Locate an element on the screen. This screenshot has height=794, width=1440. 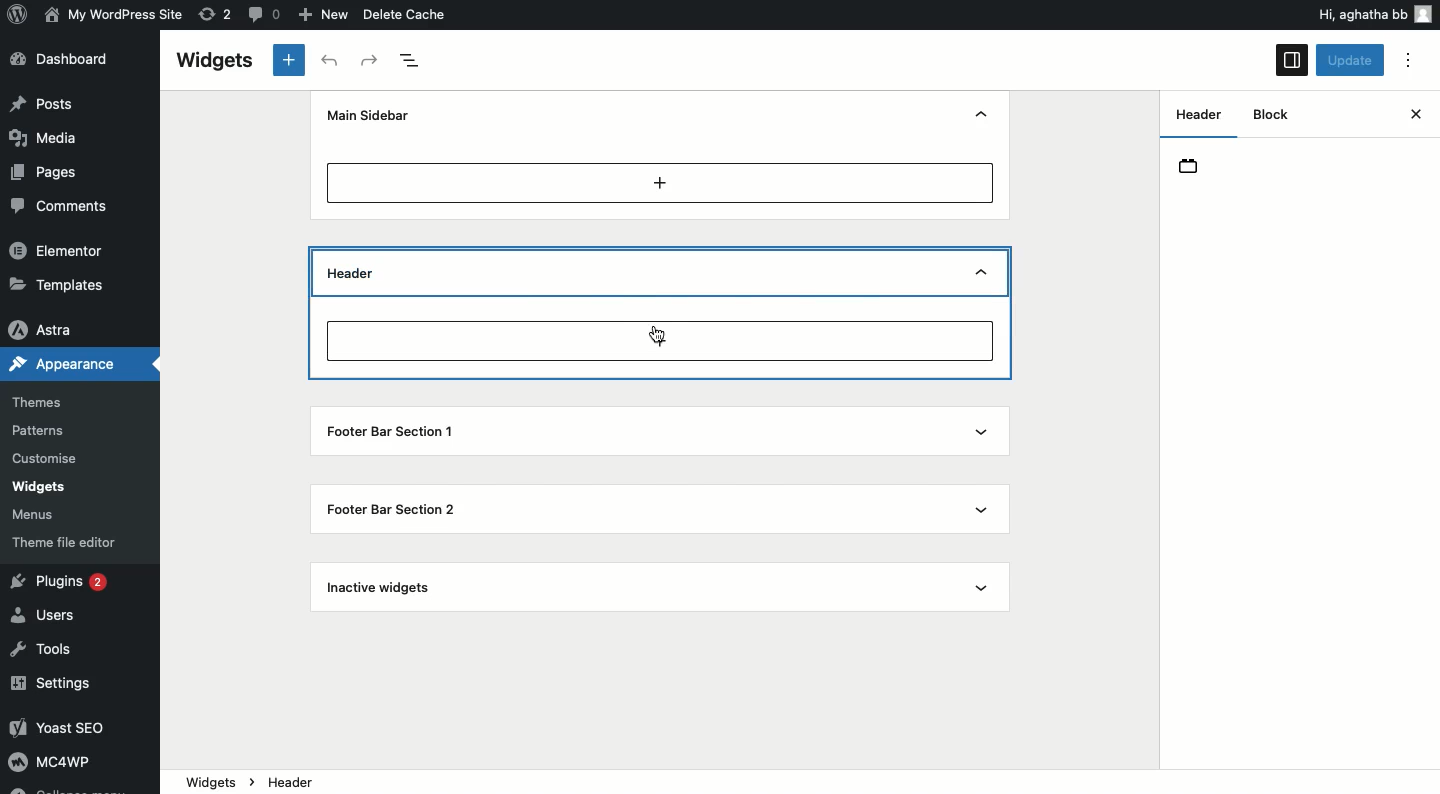
Themes is located at coordinates (37, 403).